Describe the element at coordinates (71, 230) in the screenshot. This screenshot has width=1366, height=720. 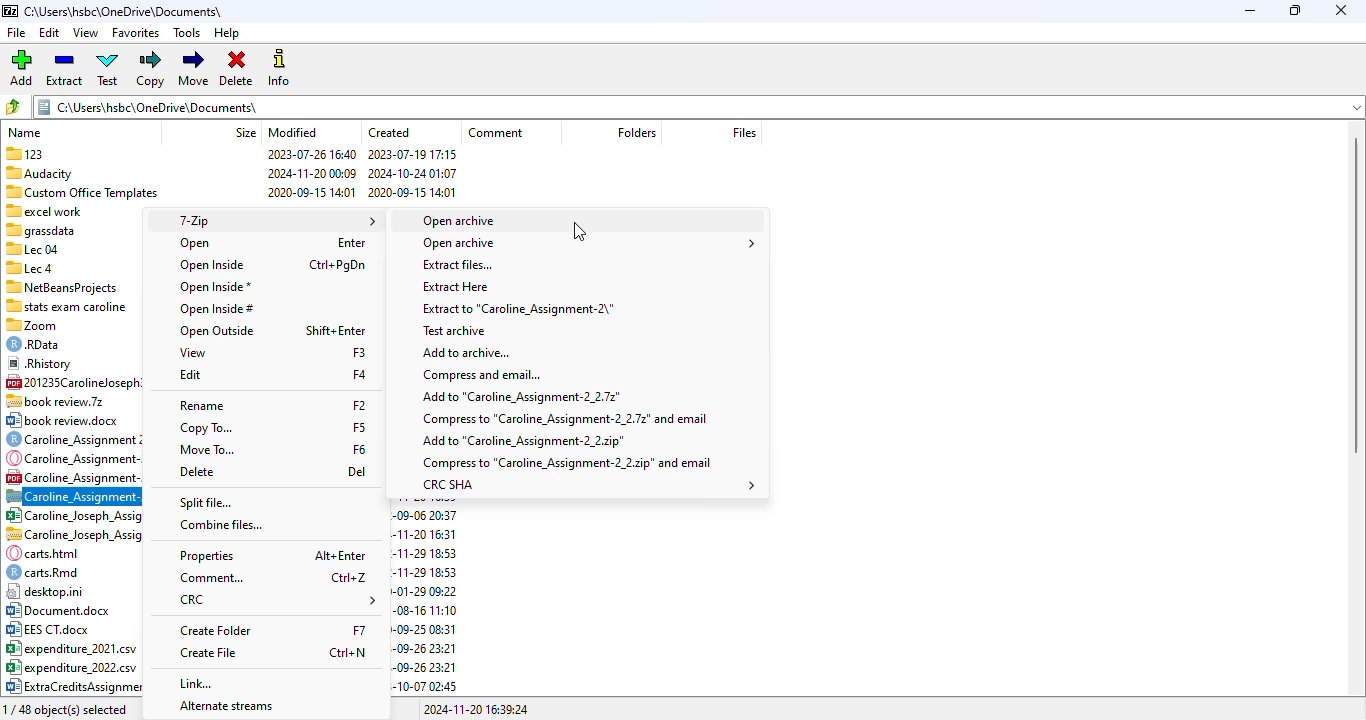
I see `= grassdata 2024-10-2515:50 2024-10-25 15:48` at that location.